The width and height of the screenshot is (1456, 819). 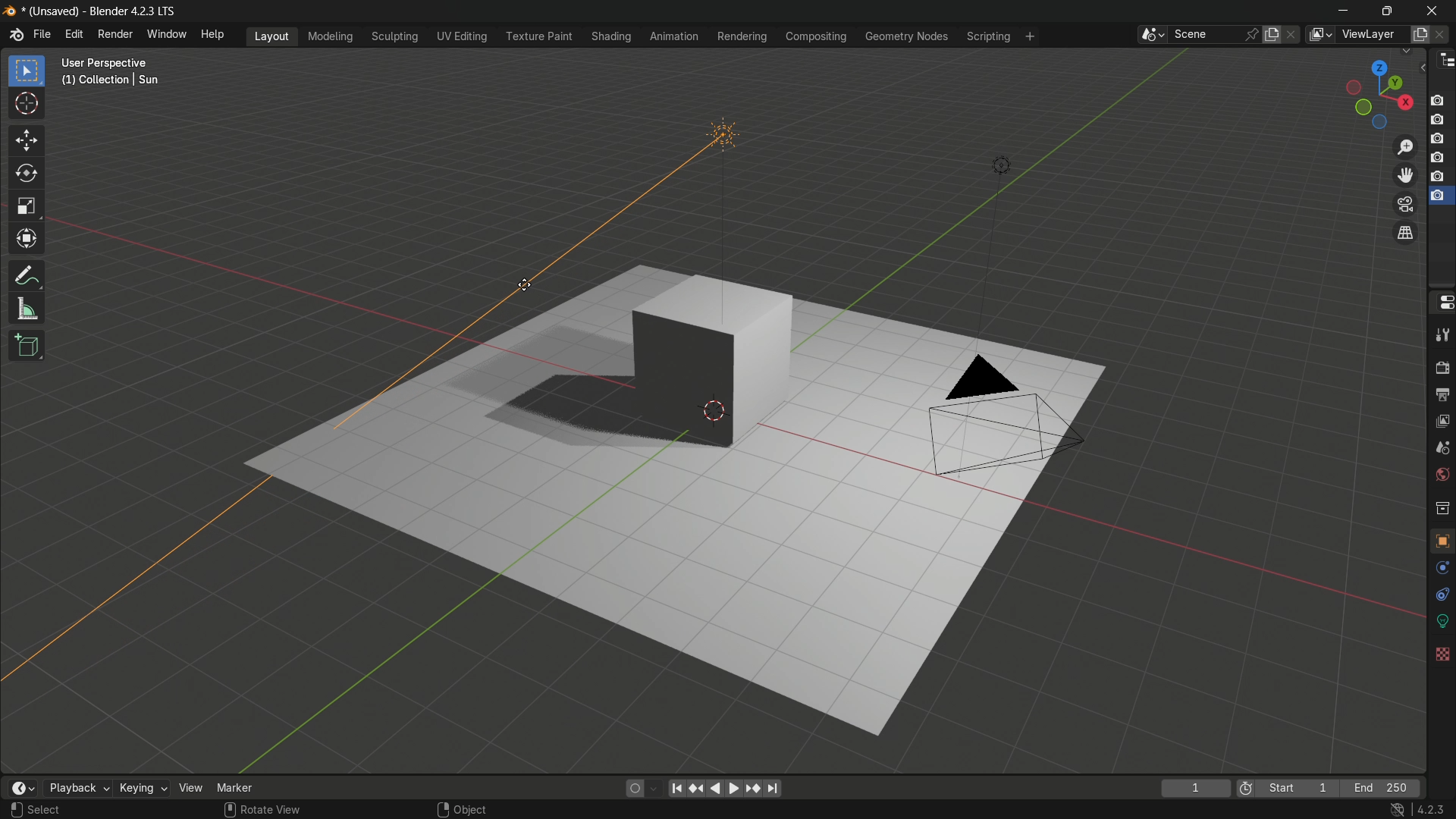 What do you see at coordinates (1406, 147) in the screenshot?
I see `zoom in/out` at bounding box center [1406, 147].